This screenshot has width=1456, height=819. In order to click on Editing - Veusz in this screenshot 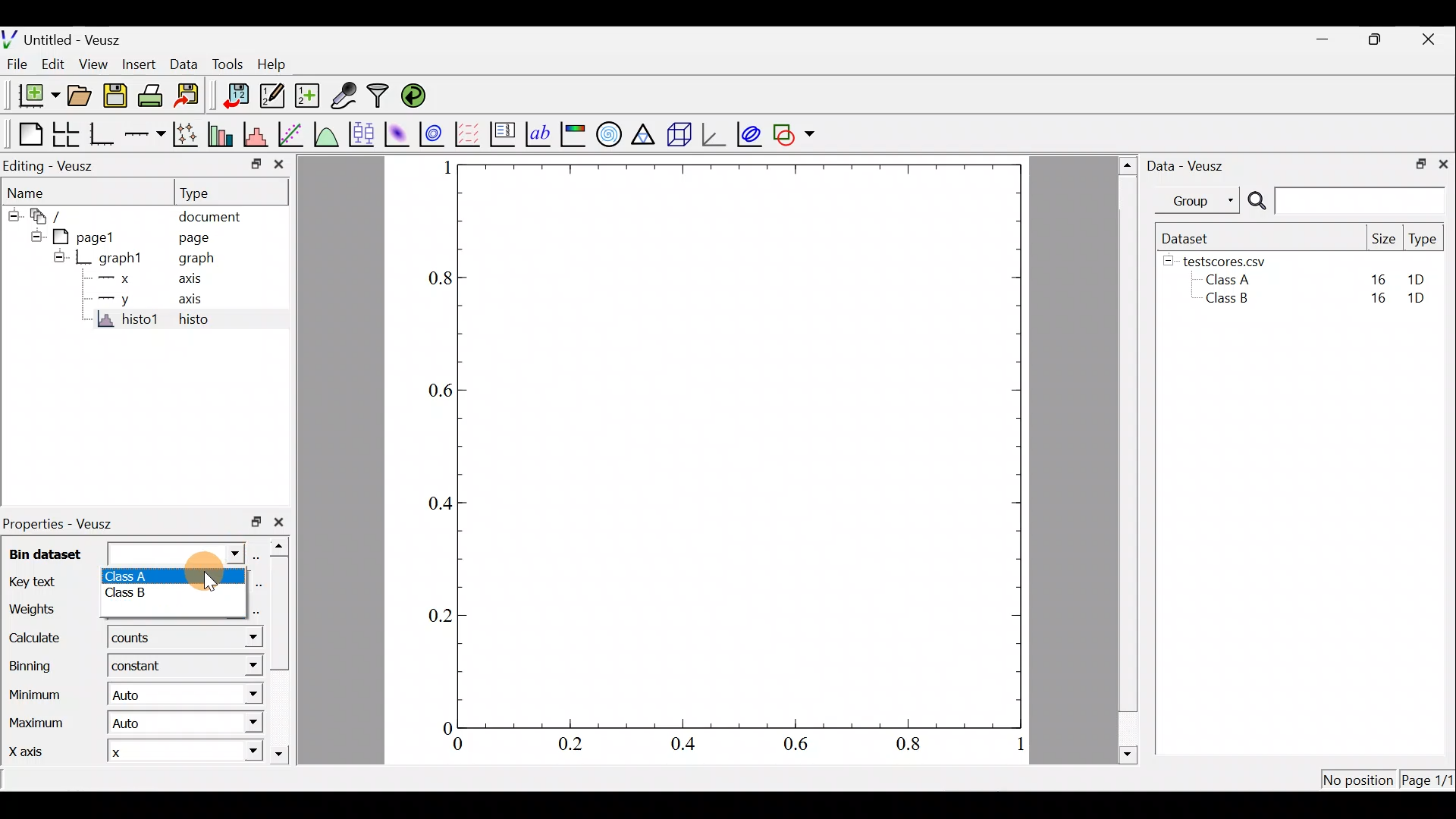, I will do `click(56, 165)`.